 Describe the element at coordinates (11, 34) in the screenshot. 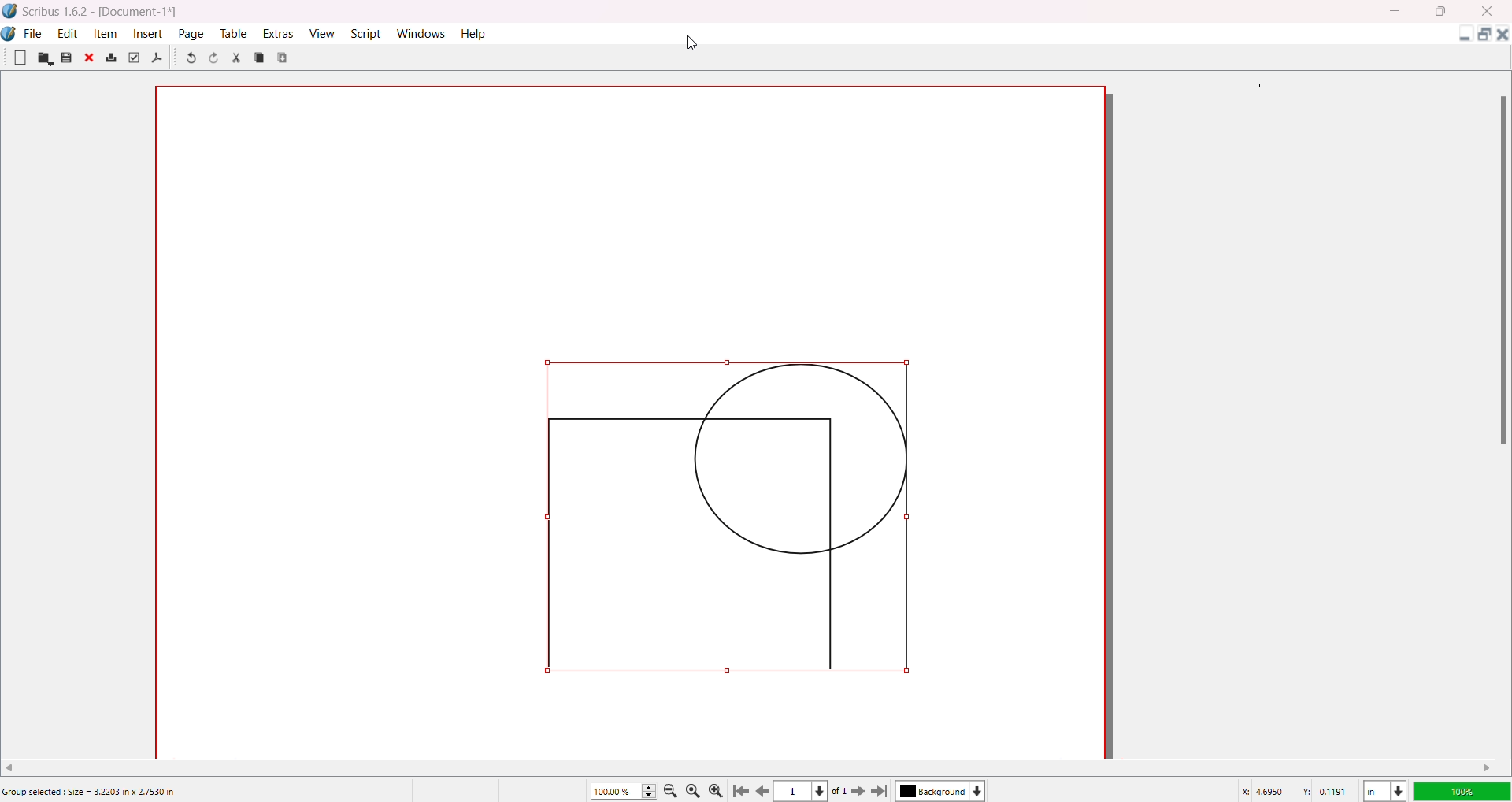

I see `Logo` at that location.